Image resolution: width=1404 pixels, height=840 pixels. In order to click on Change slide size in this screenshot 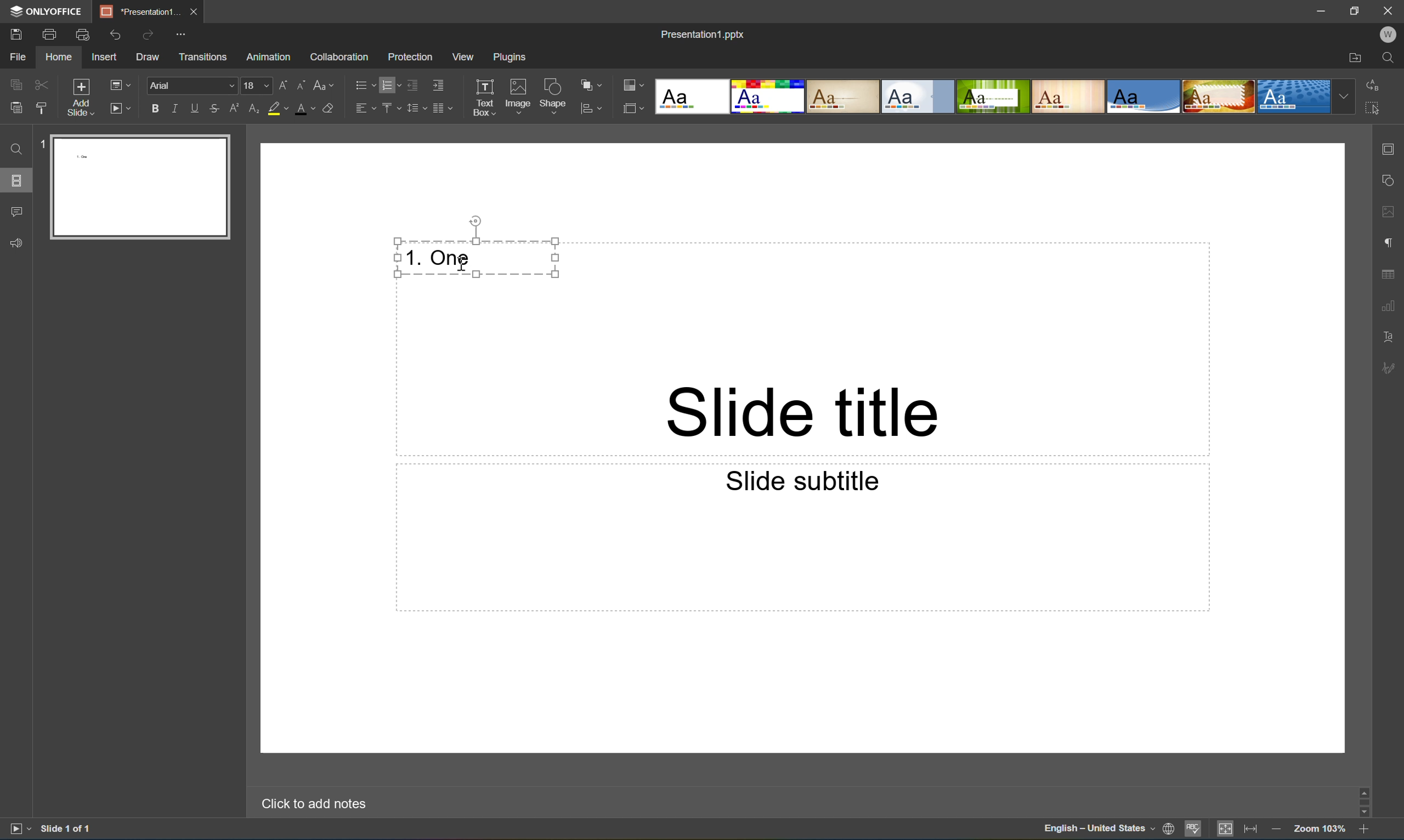, I will do `click(632, 108)`.